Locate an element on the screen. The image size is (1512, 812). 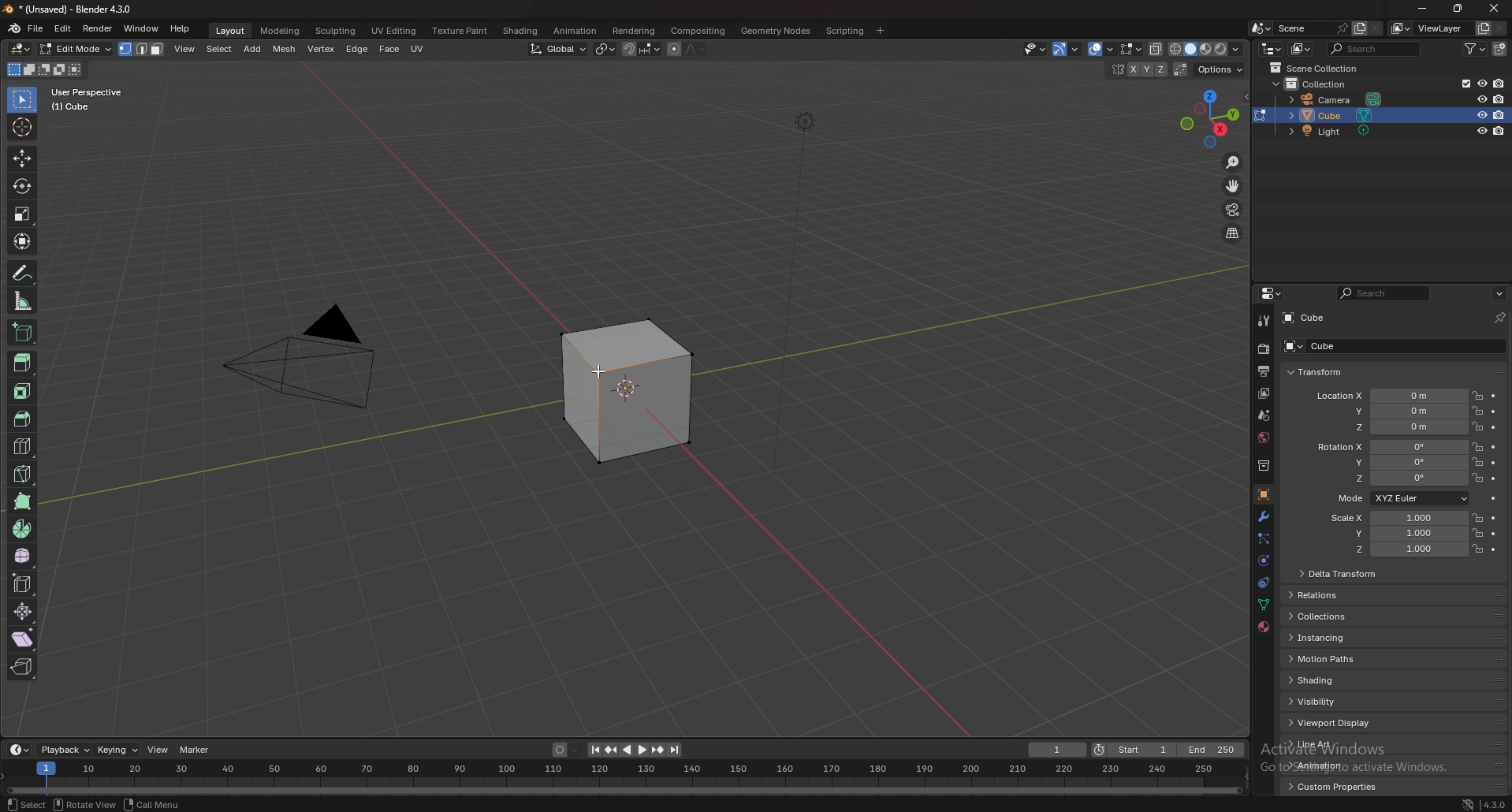
texture paint is located at coordinates (461, 31).